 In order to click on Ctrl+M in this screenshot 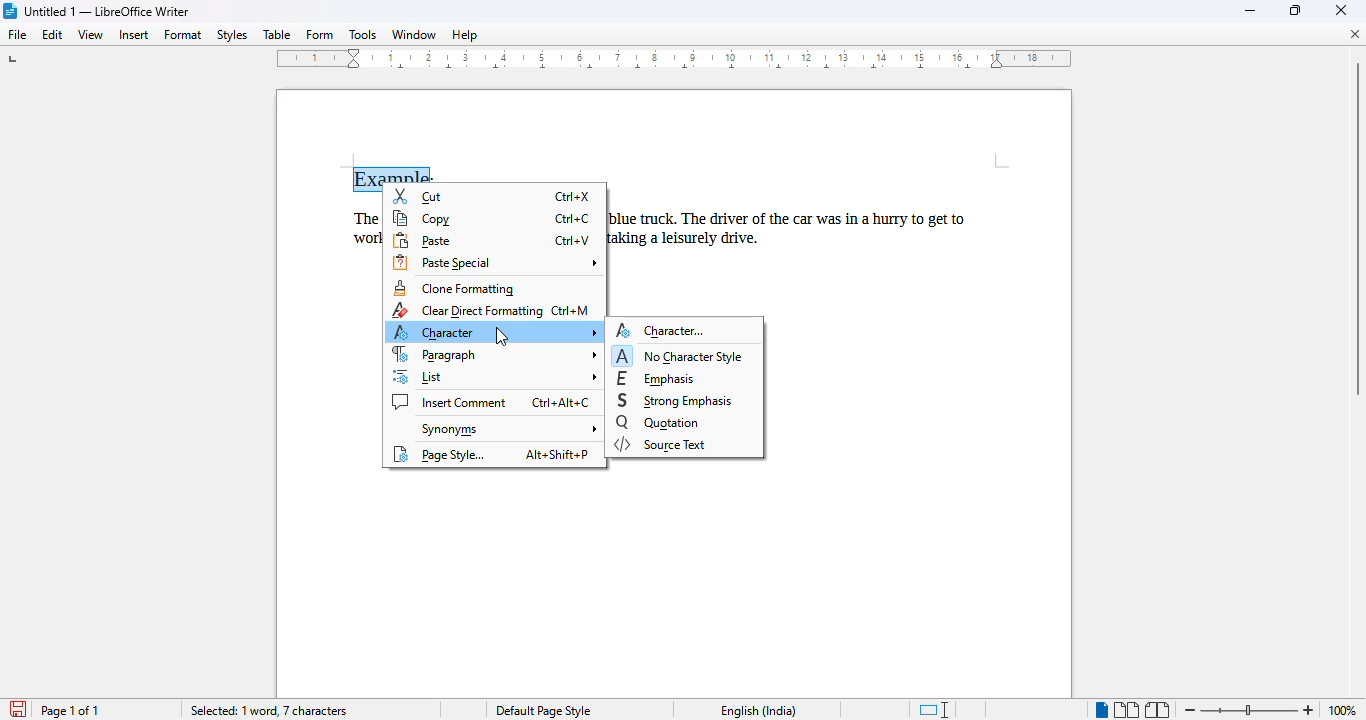, I will do `click(571, 311)`.